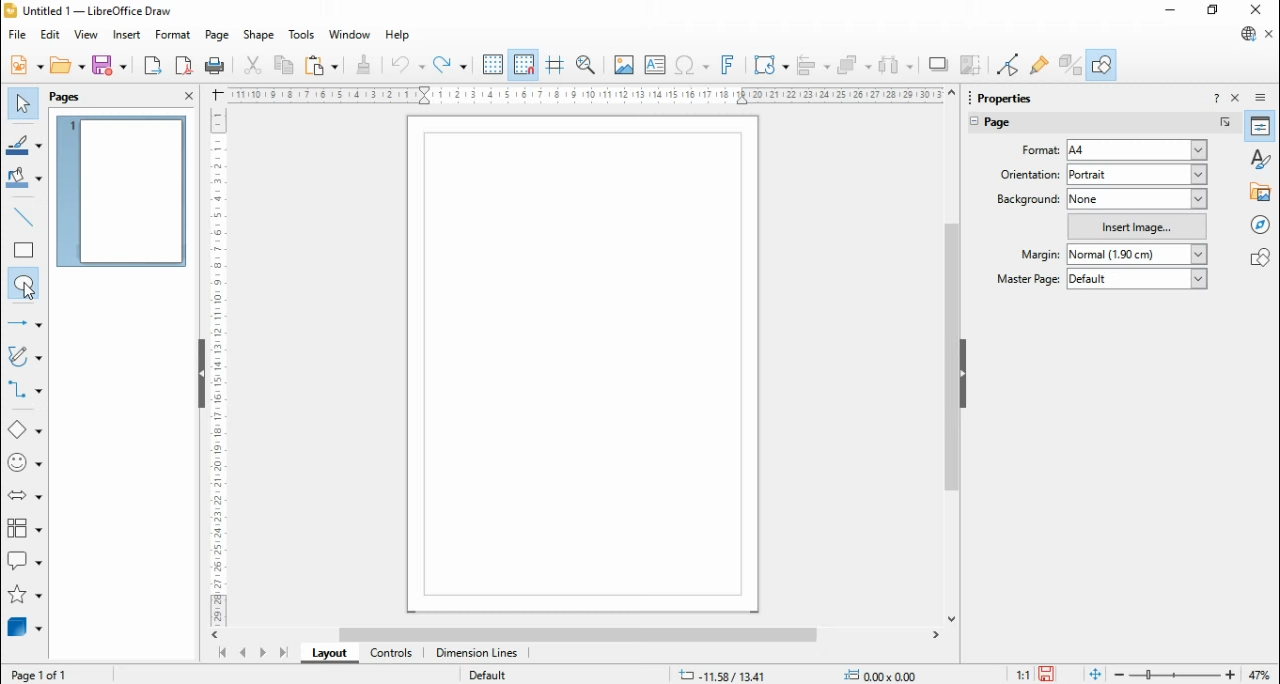  Describe the element at coordinates (23, 596) in the screenshot. I see `stars and banners ` at that location.